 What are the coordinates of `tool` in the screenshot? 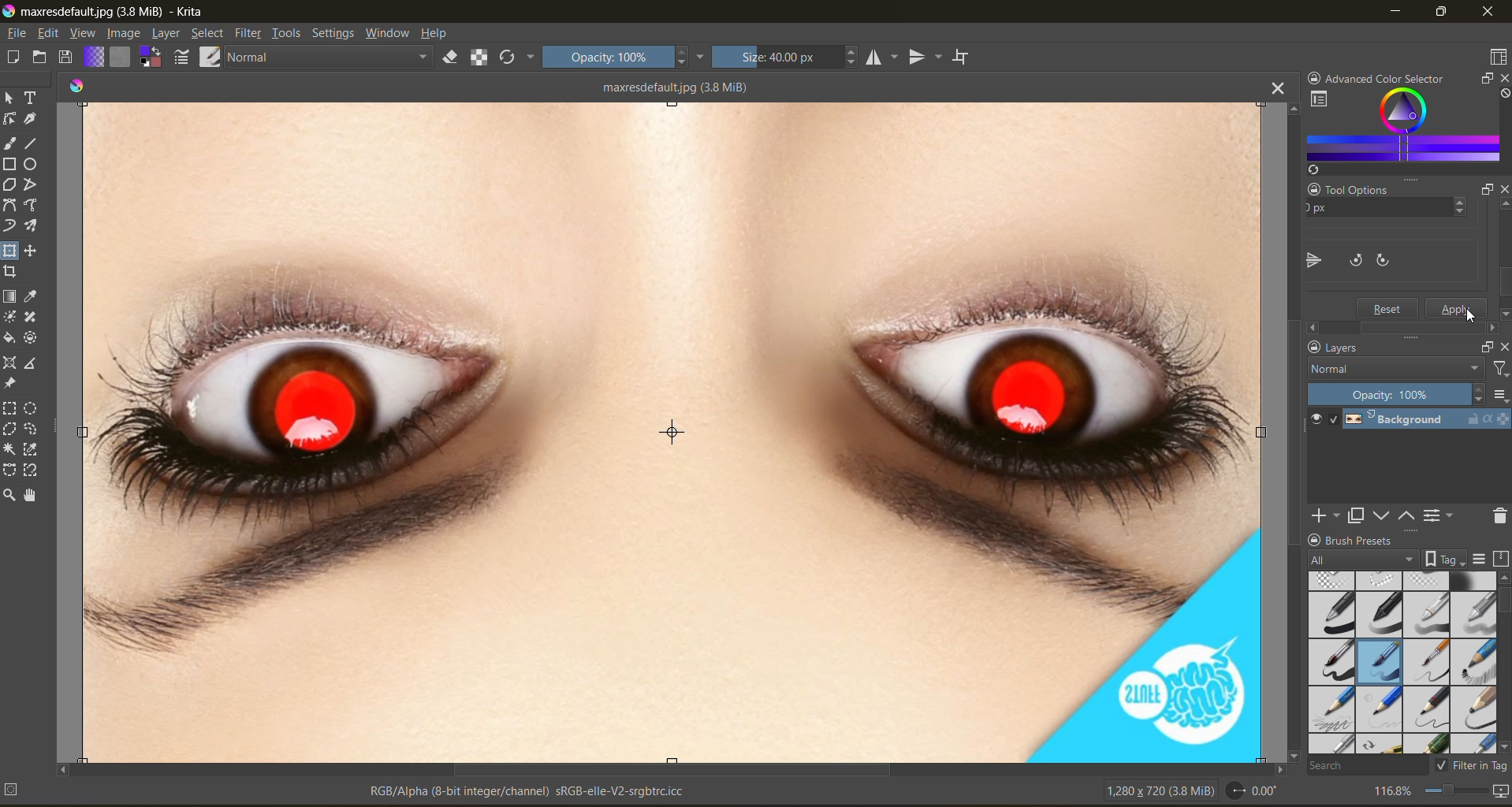 It's located at (11, 164).